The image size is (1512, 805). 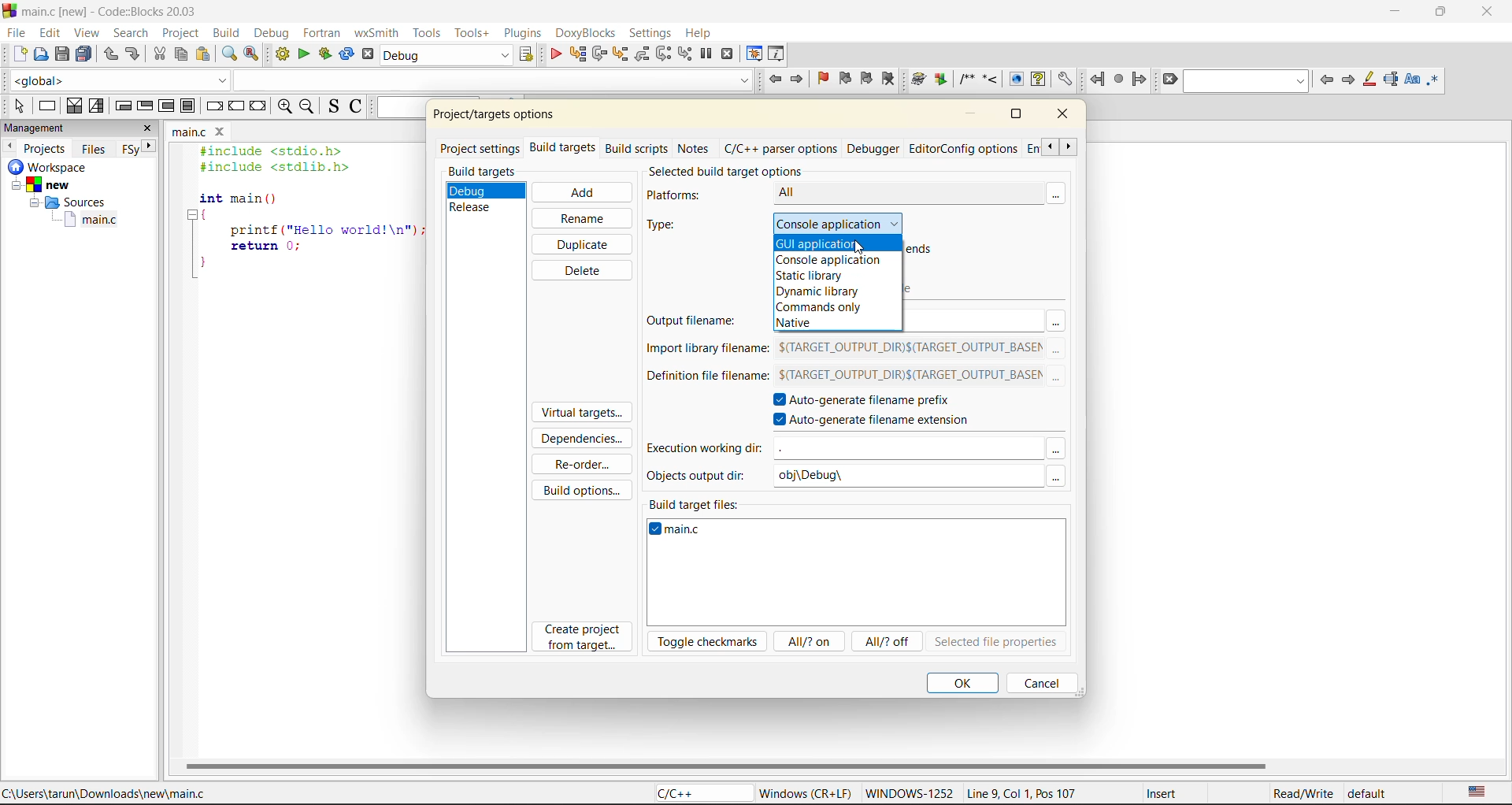 What do you see at coordinates (834, 276) in the screenshot?
I see `static library` at bounding box center [834, 276].